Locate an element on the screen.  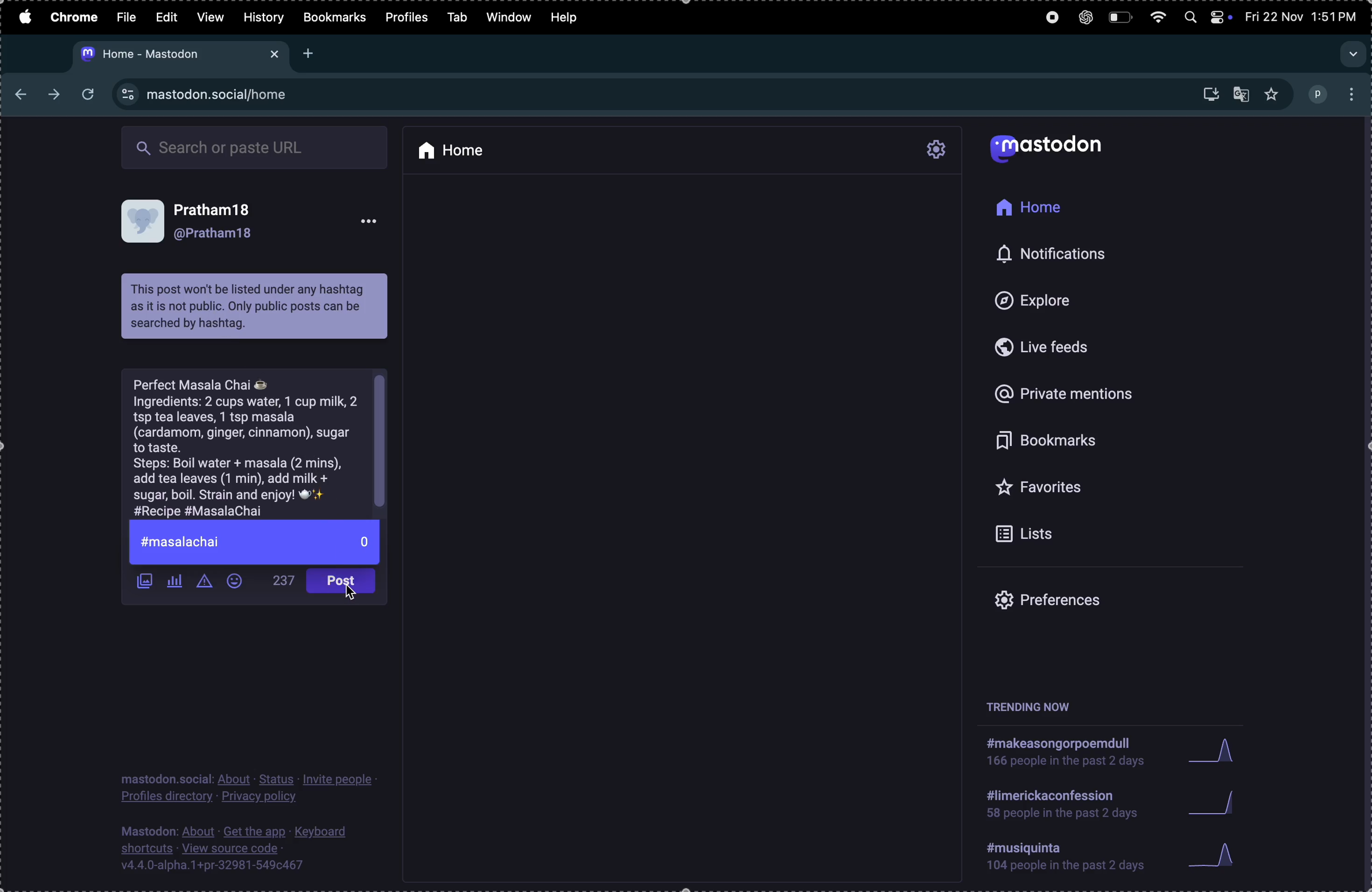
notifications is located at coordinates (1074, 252).